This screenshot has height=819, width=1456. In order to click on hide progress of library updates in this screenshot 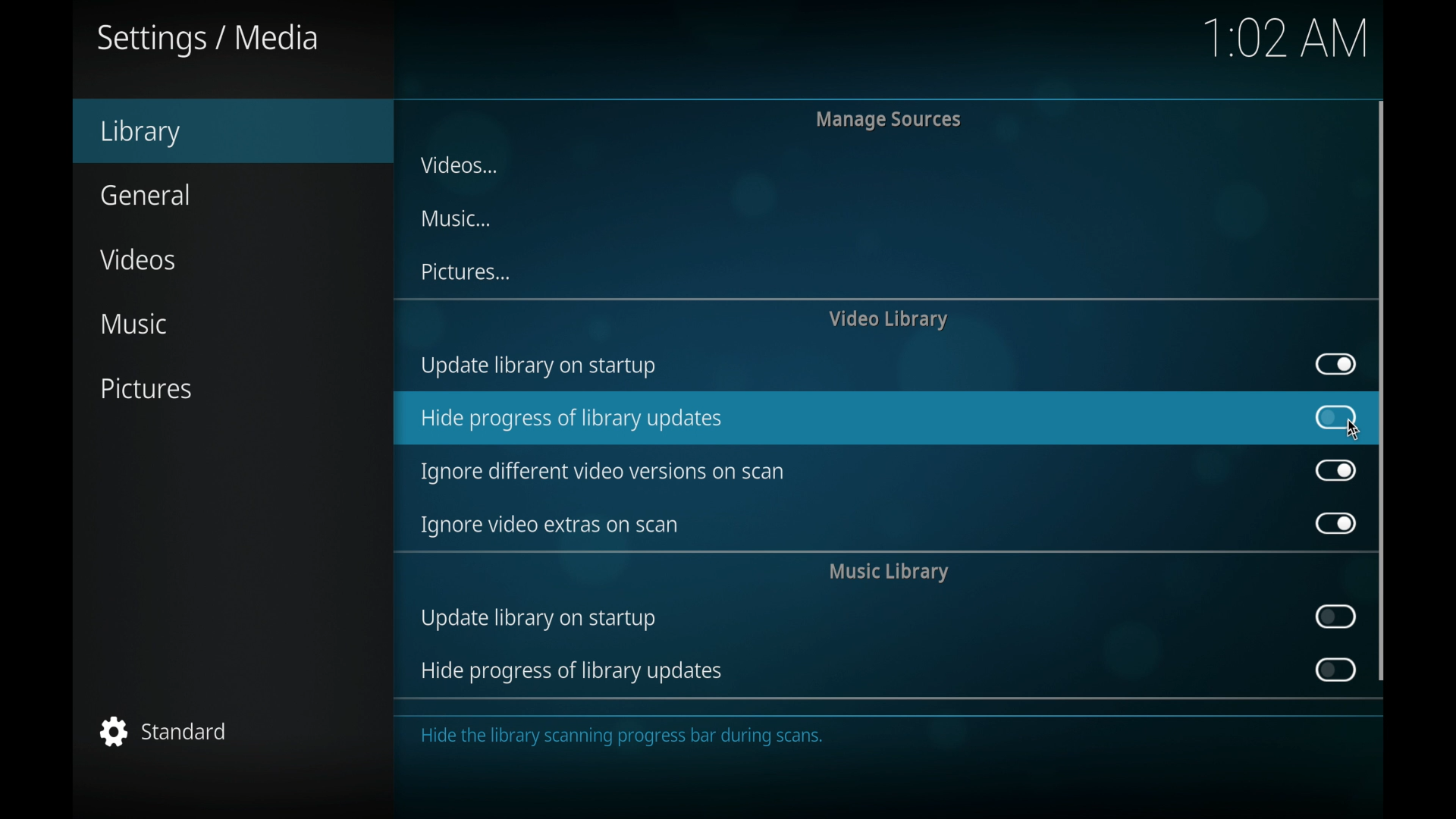, I will do `click(573, 672)`.